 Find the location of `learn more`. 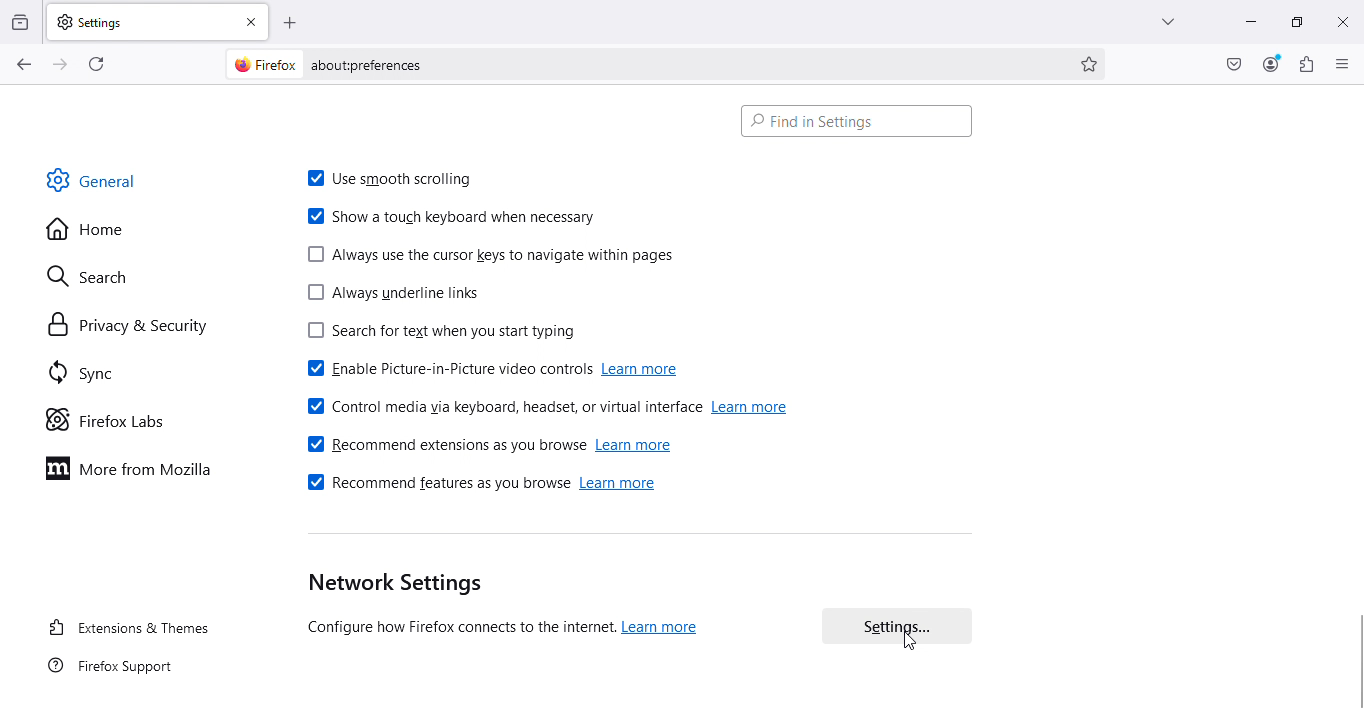

learn more is located at coordinates (645, 370).